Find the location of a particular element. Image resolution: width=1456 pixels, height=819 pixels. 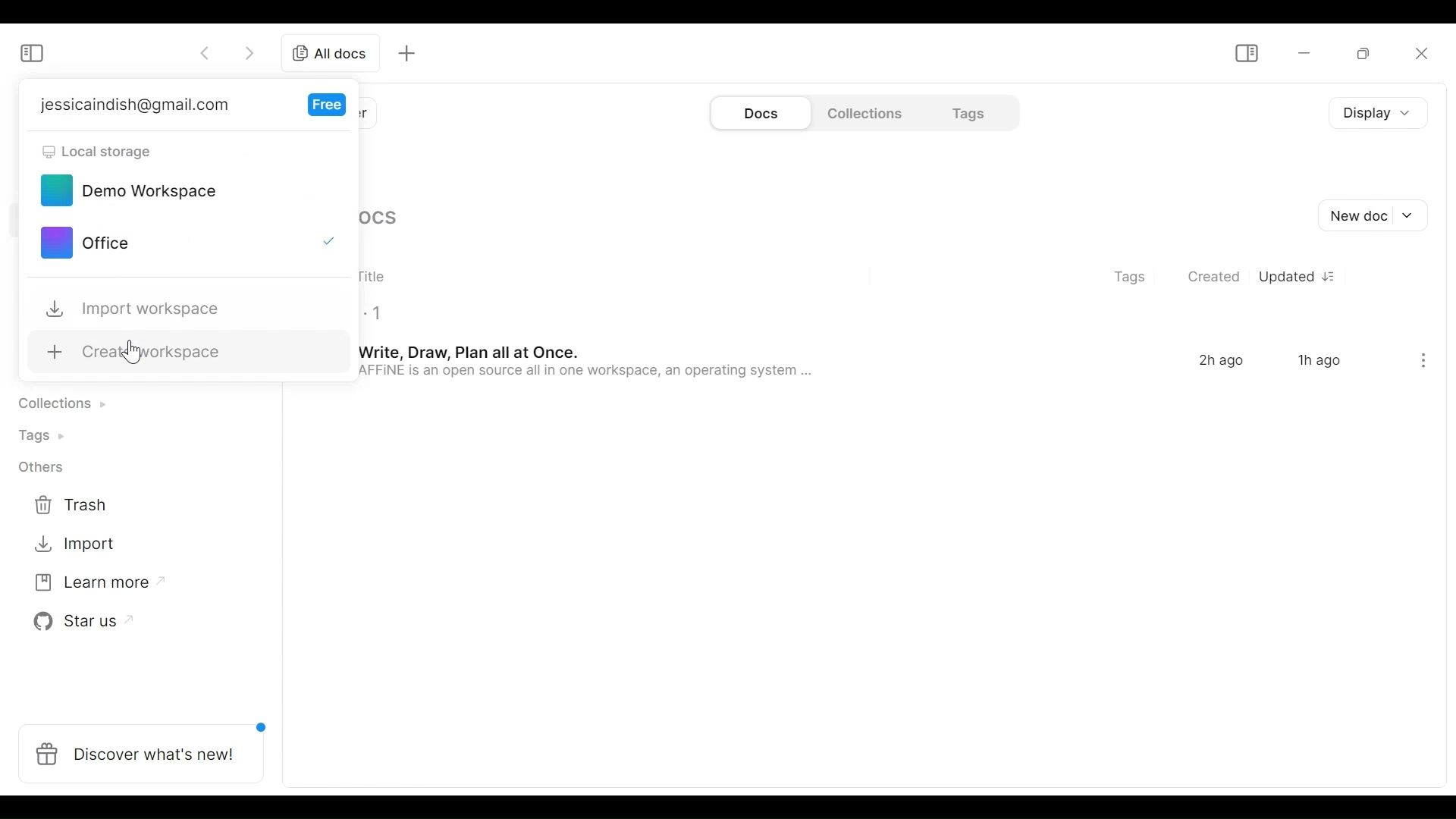

Close is located at coordinates (1421, 52).